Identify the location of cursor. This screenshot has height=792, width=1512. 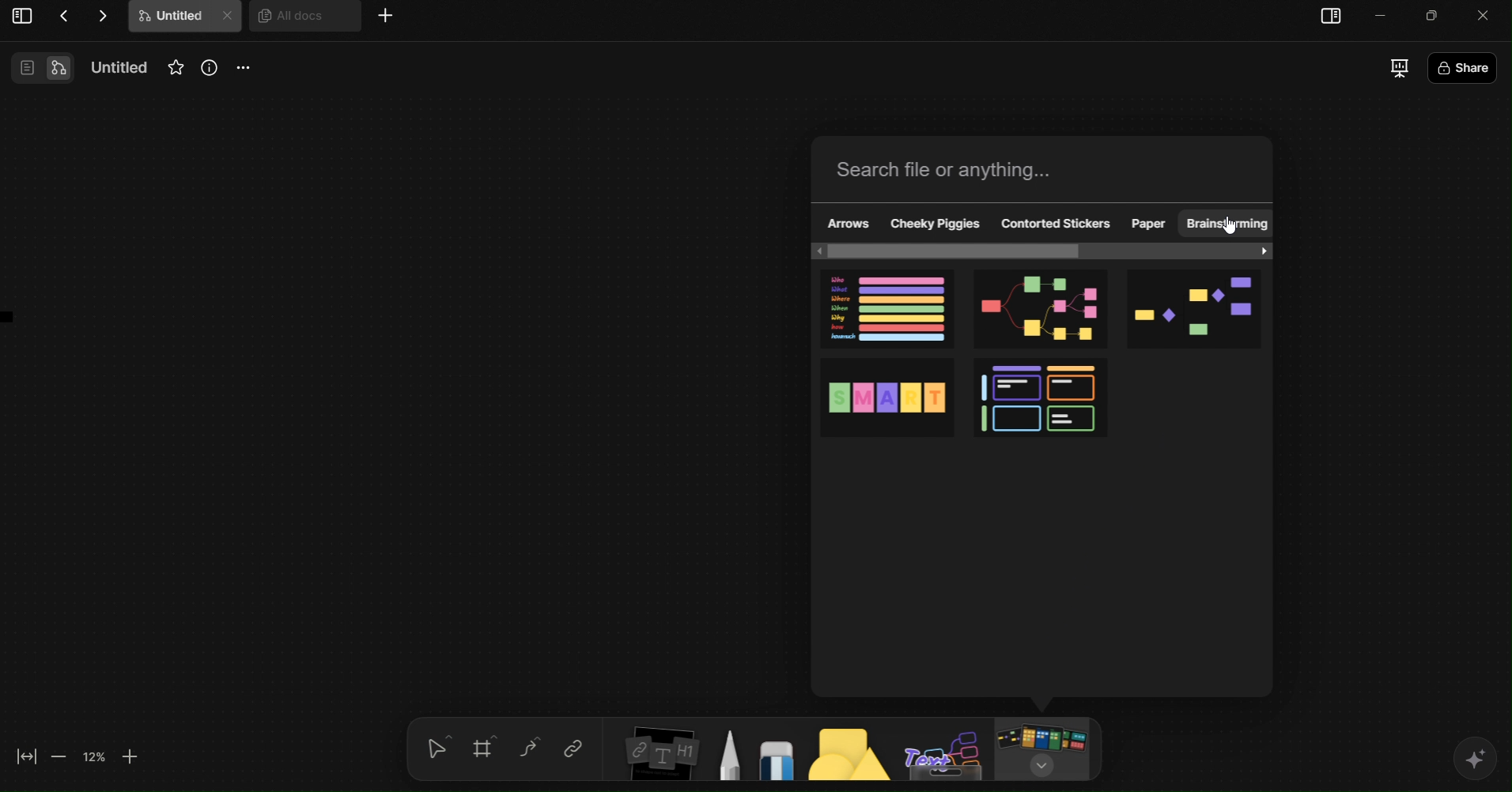
(1231, 227).